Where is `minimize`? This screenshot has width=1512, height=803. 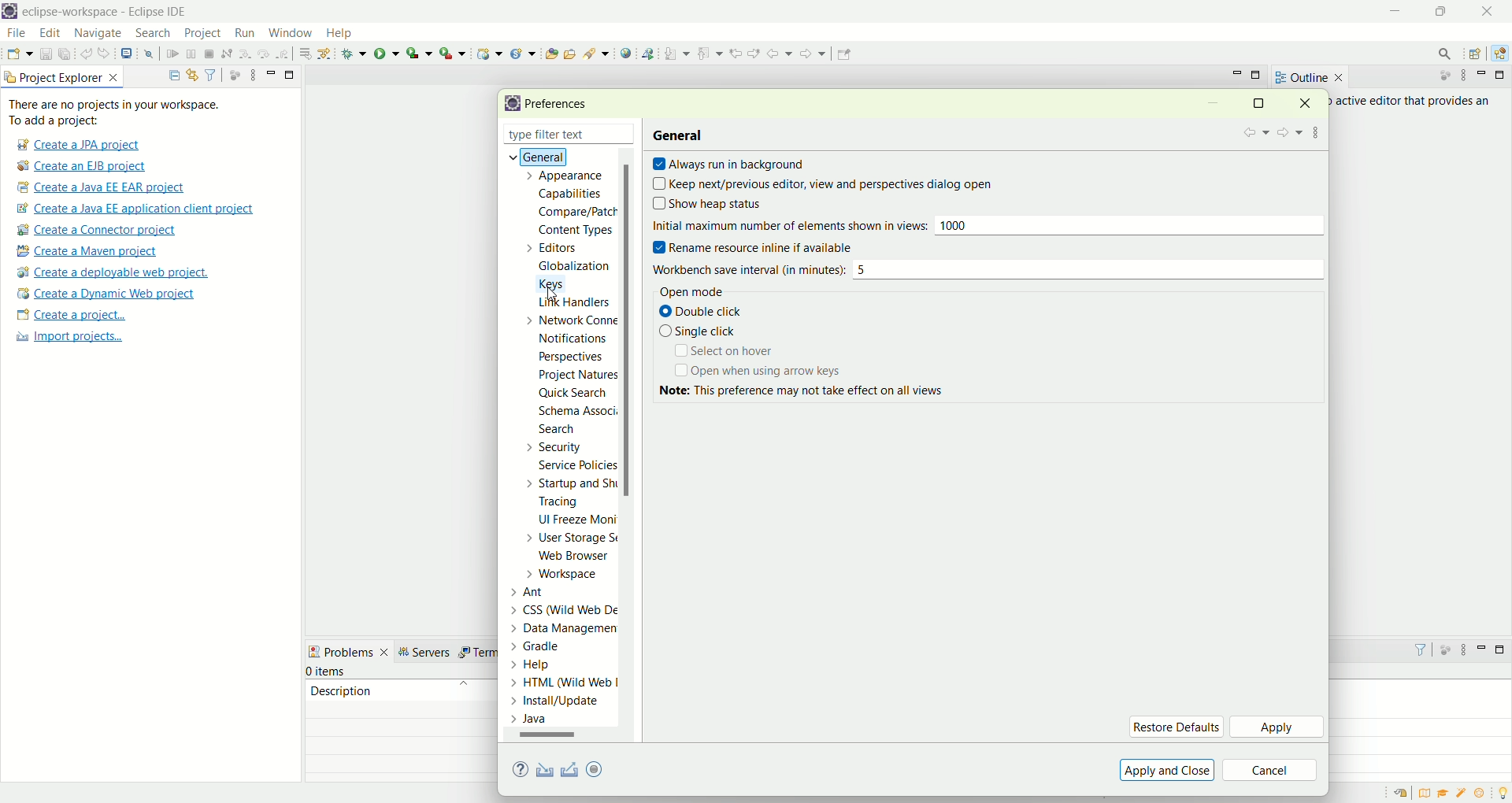 minimize is located at coordinates (1237, 73).